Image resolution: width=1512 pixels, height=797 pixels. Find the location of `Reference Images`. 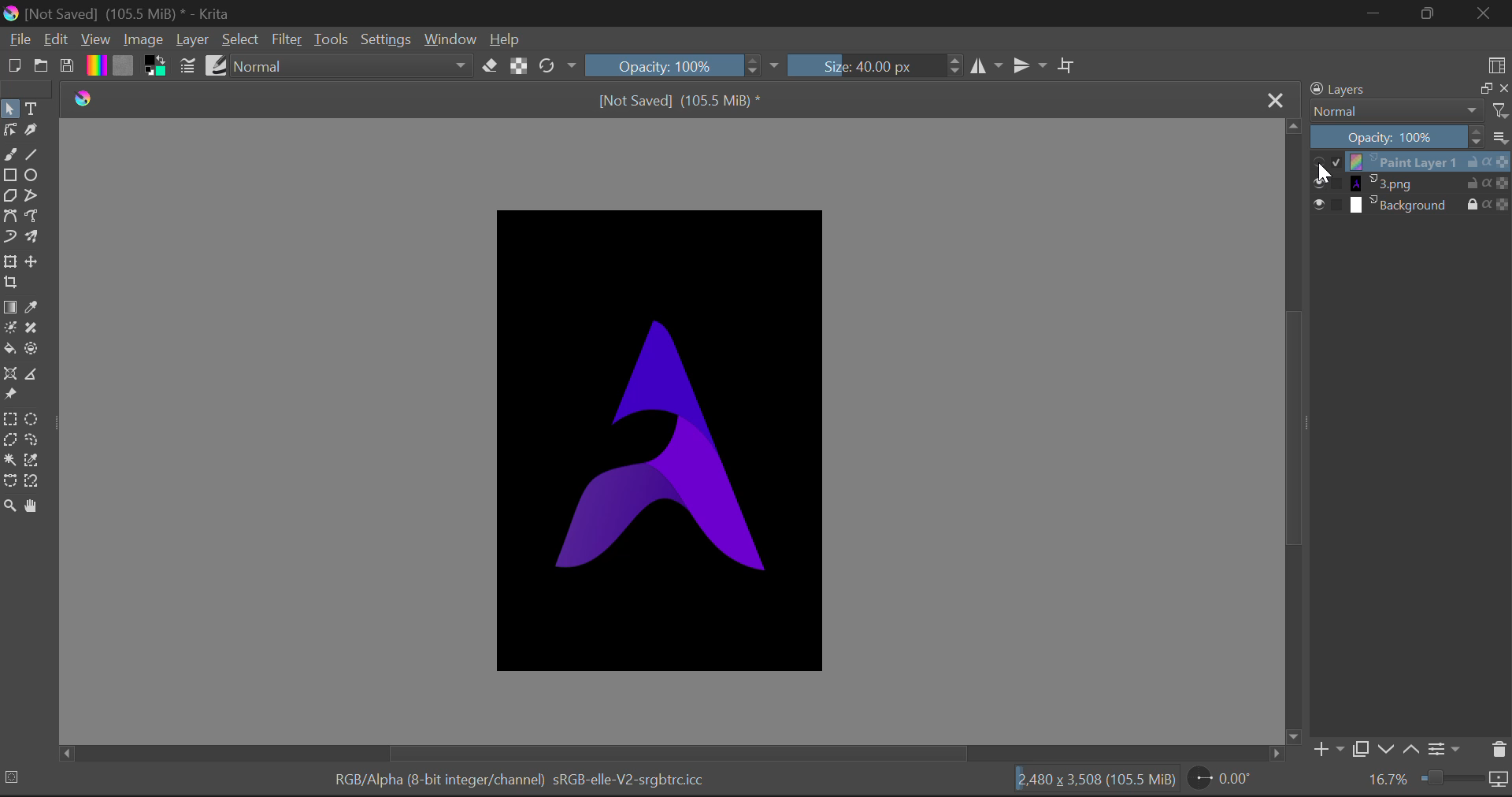

Reference Images is located at coordinates (10, 396).